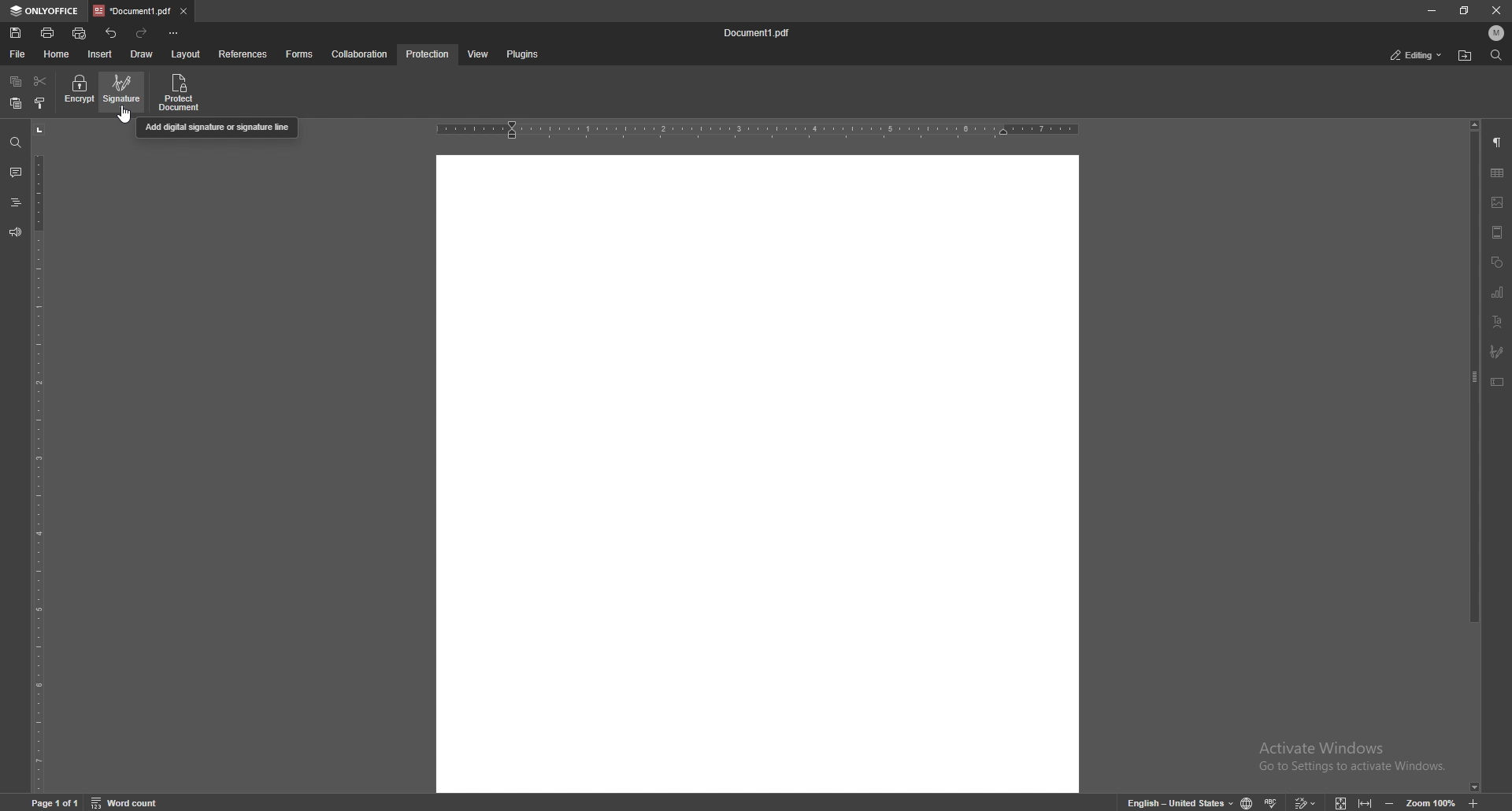 This screenshot has width=1512, height=811. I want to click on heading, so click(15, 204).